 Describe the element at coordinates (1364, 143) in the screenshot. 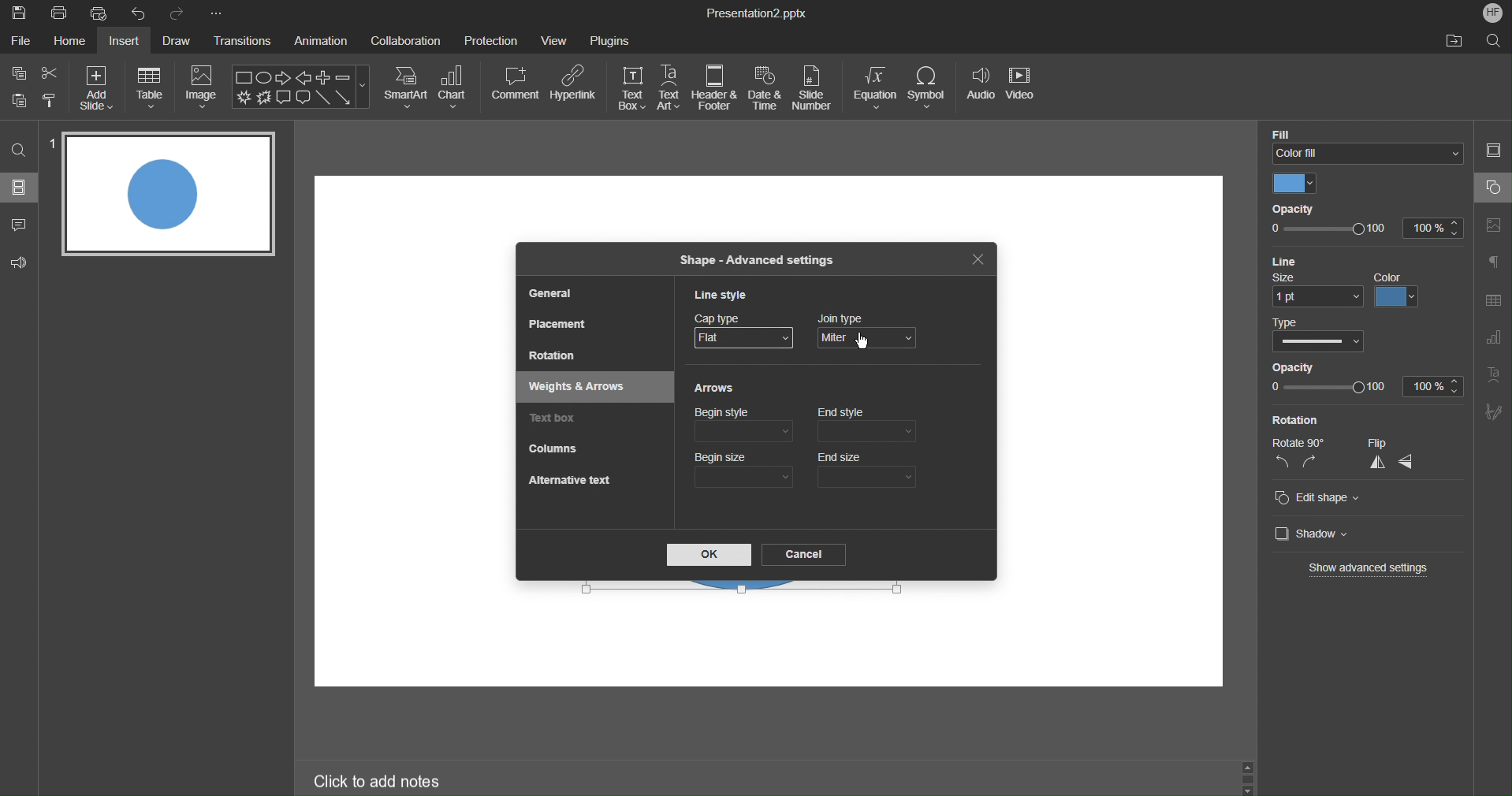

I see `Color FIll` at that location.